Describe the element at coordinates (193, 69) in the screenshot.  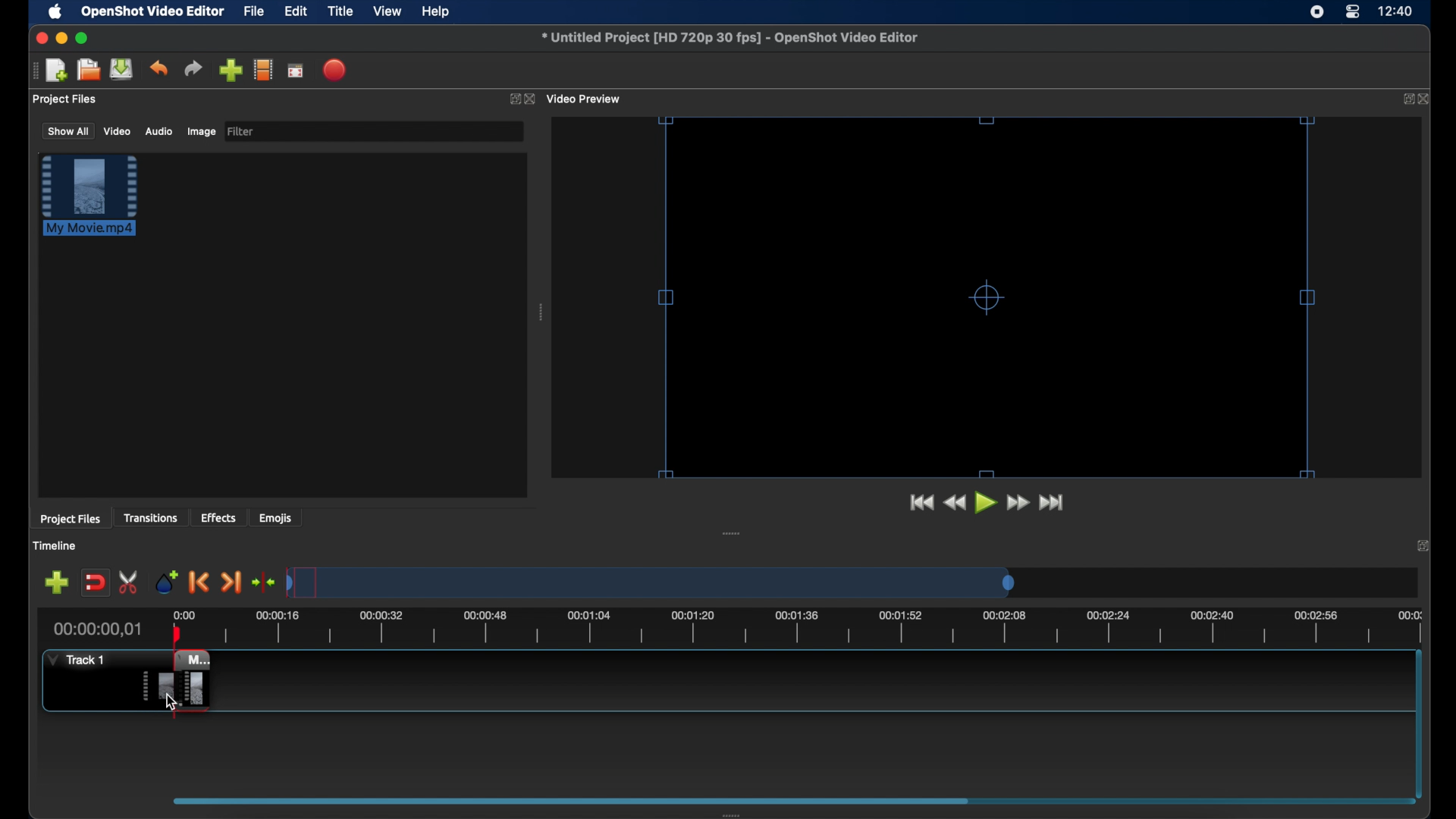
I see `redo` at that location.